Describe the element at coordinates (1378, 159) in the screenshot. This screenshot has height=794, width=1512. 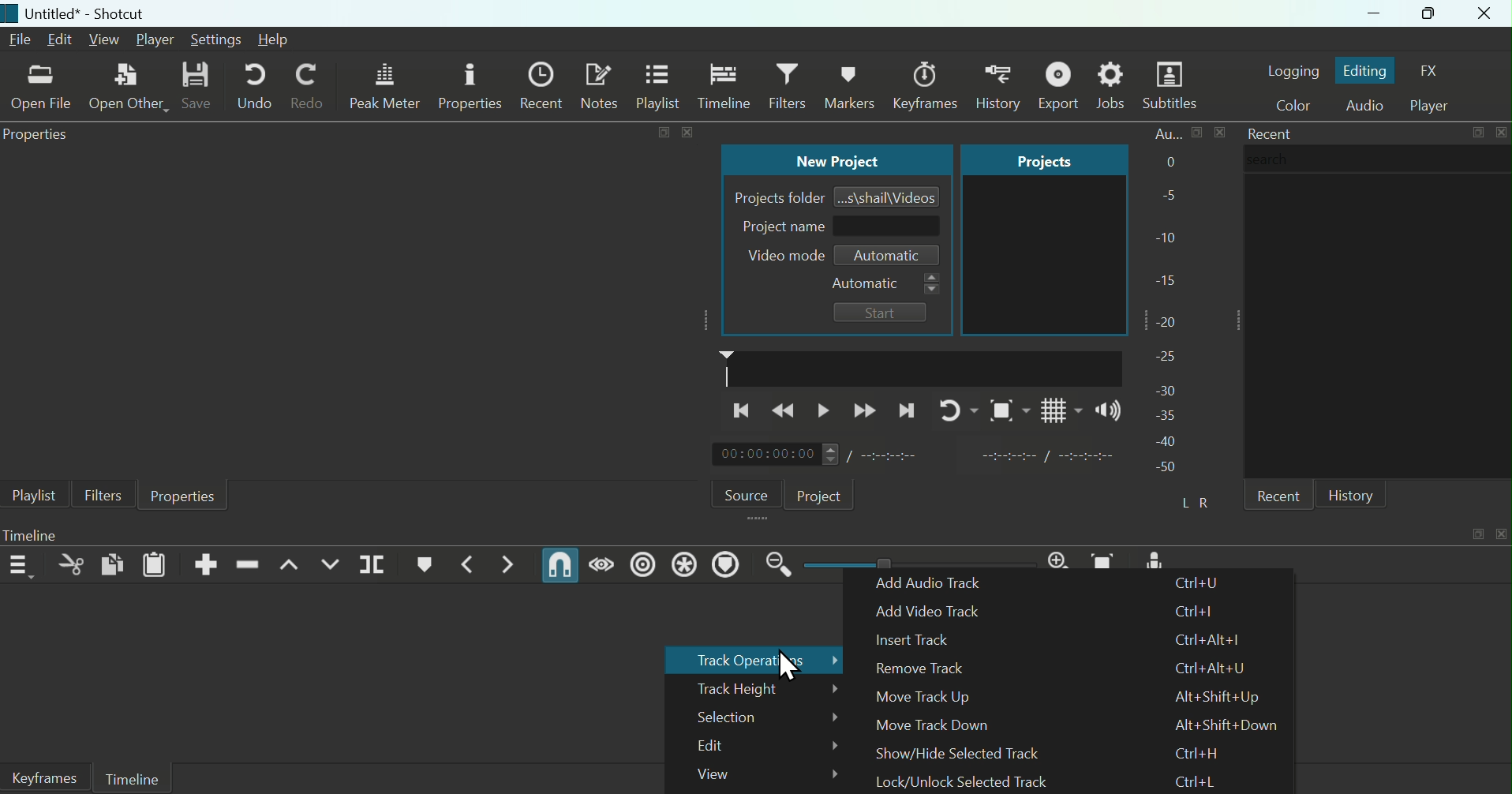
I see `search` at that location.